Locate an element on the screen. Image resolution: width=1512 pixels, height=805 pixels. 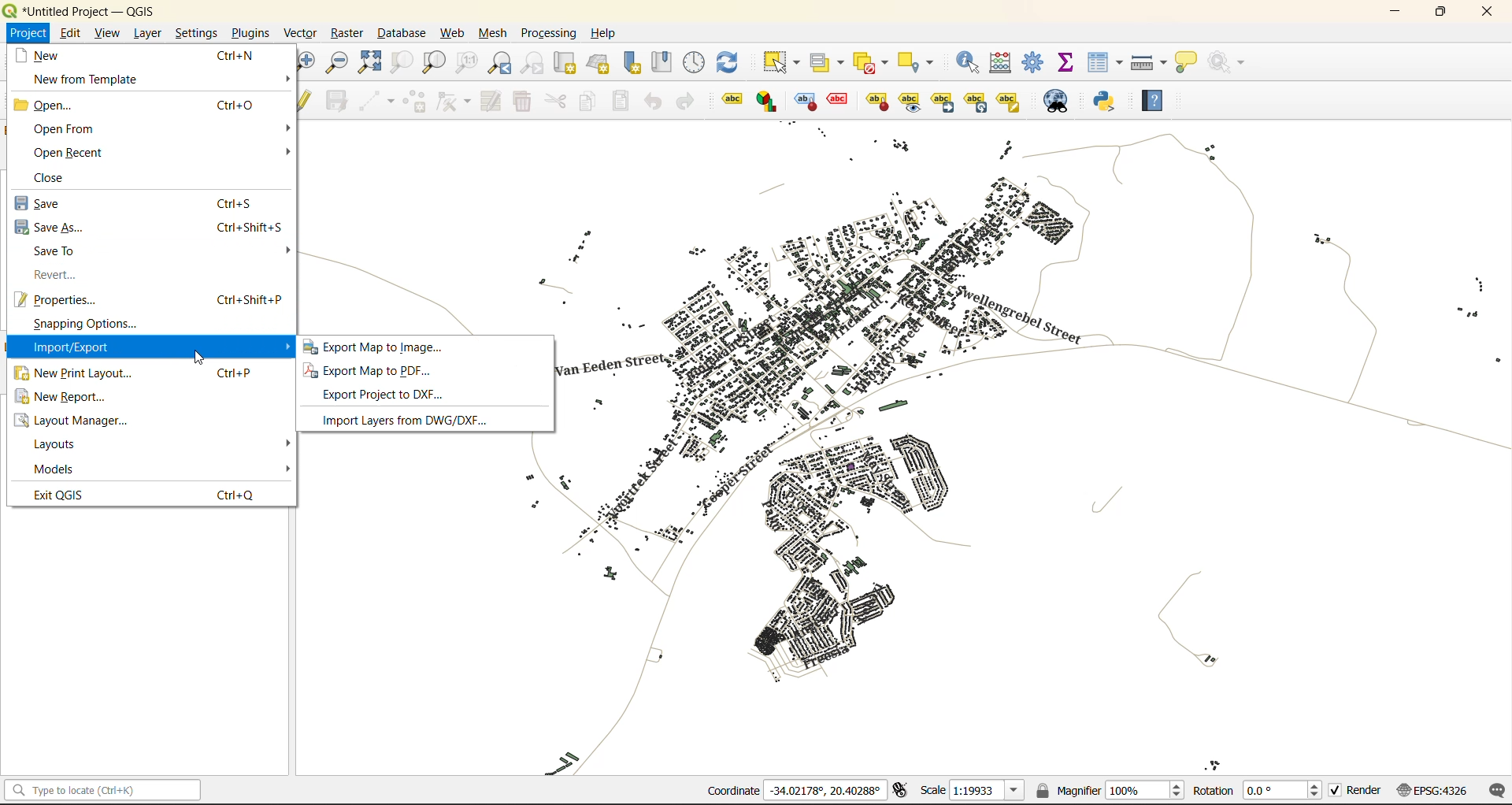
plugins is located at coordinates (250, 33).